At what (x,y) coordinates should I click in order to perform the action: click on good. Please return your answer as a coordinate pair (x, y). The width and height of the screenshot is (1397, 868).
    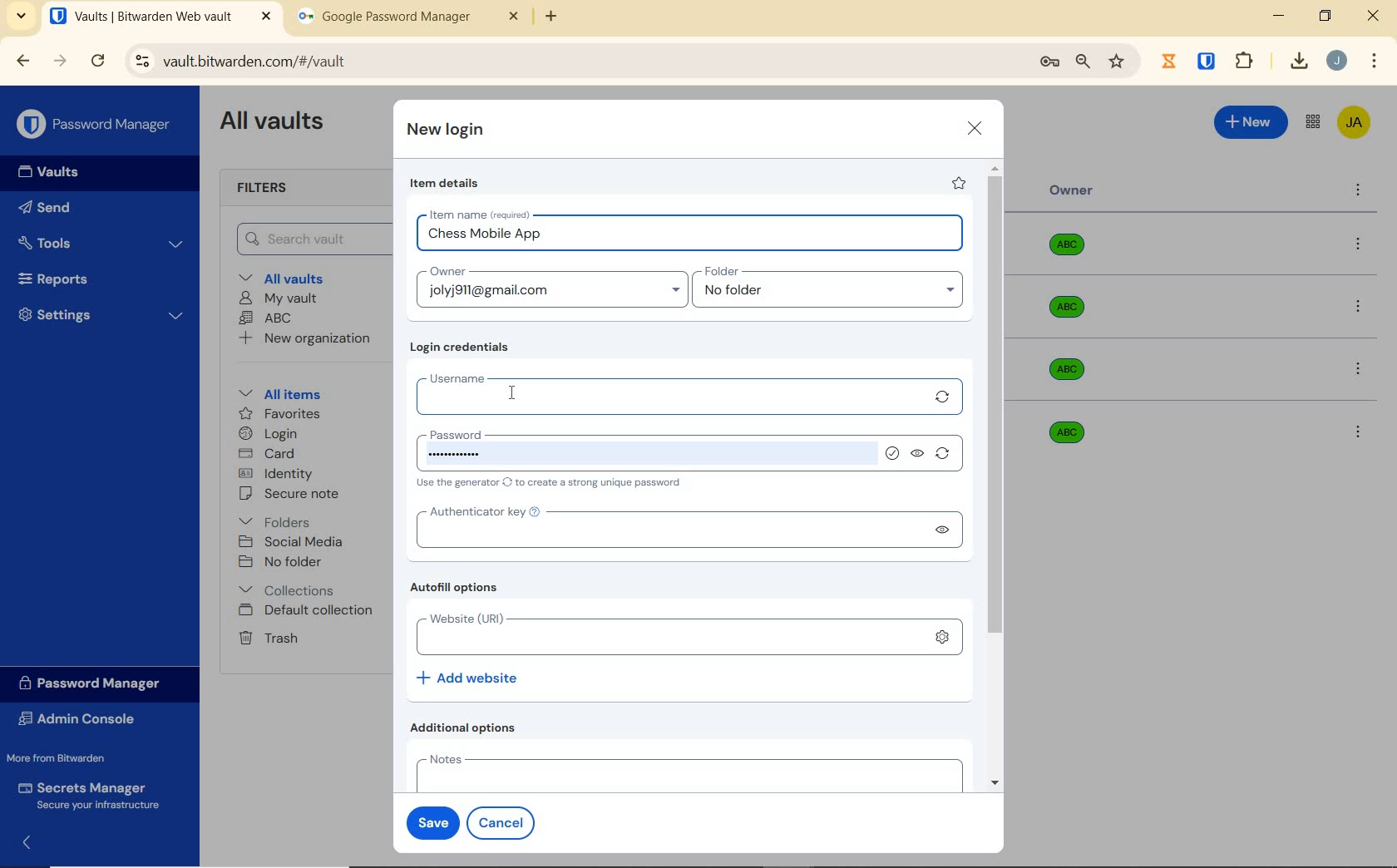
    Looking at the image, I should click on (896, 455).